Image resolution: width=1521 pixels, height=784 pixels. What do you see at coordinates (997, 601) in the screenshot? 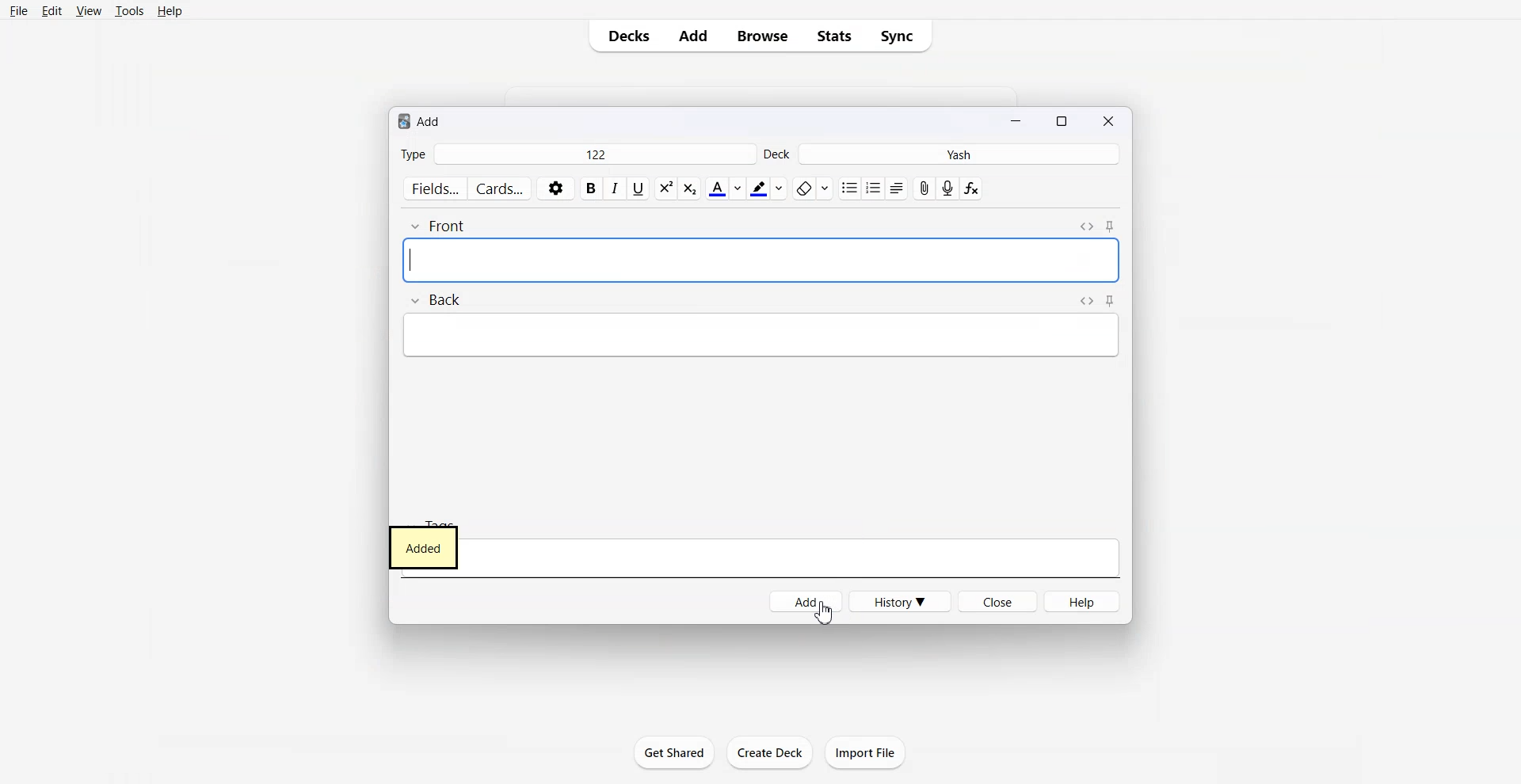
I see `Close` at bounding box center [997, 601].